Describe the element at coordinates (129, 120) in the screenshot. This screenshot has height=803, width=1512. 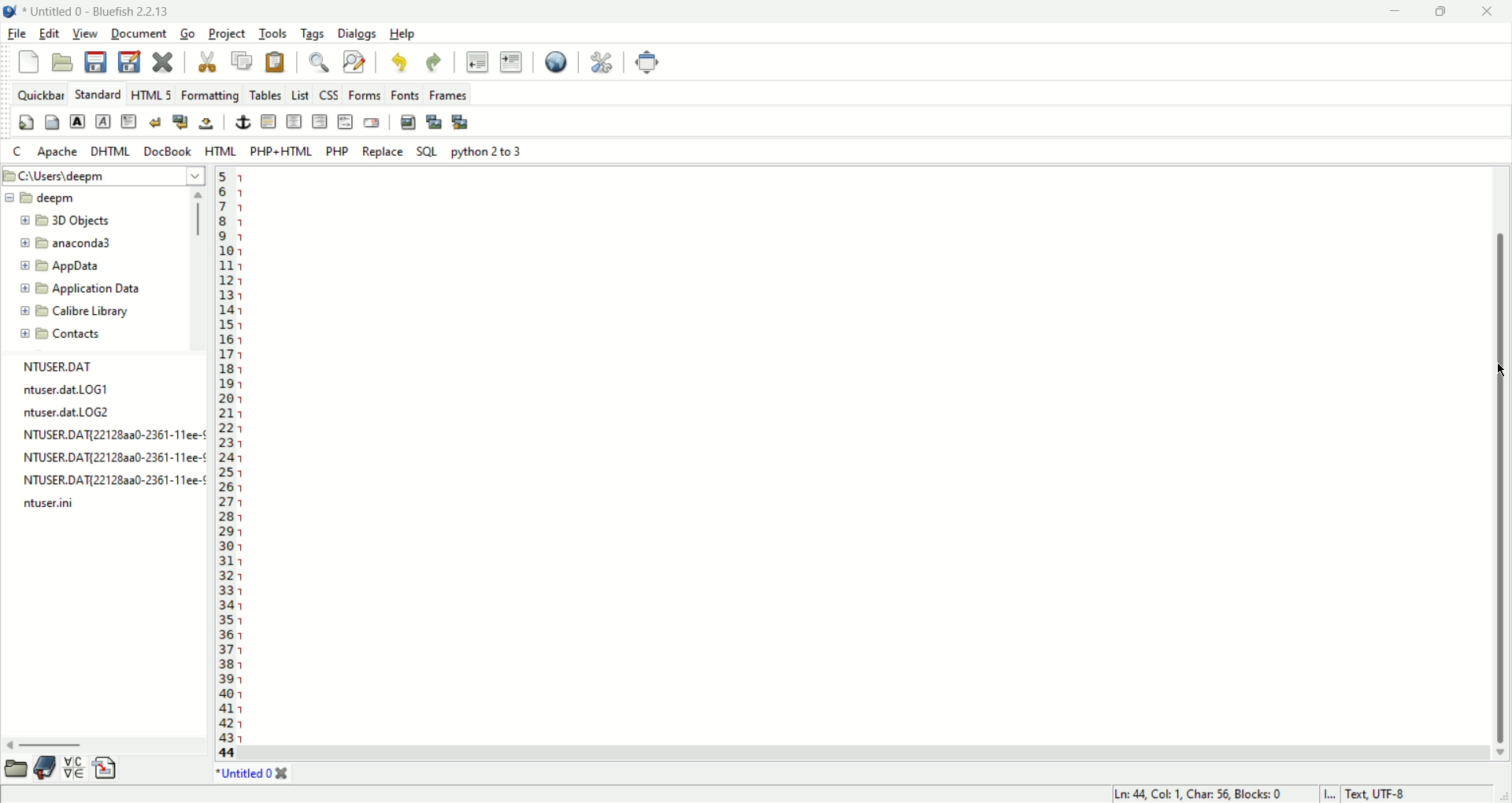
I see `paragraph` at that location.